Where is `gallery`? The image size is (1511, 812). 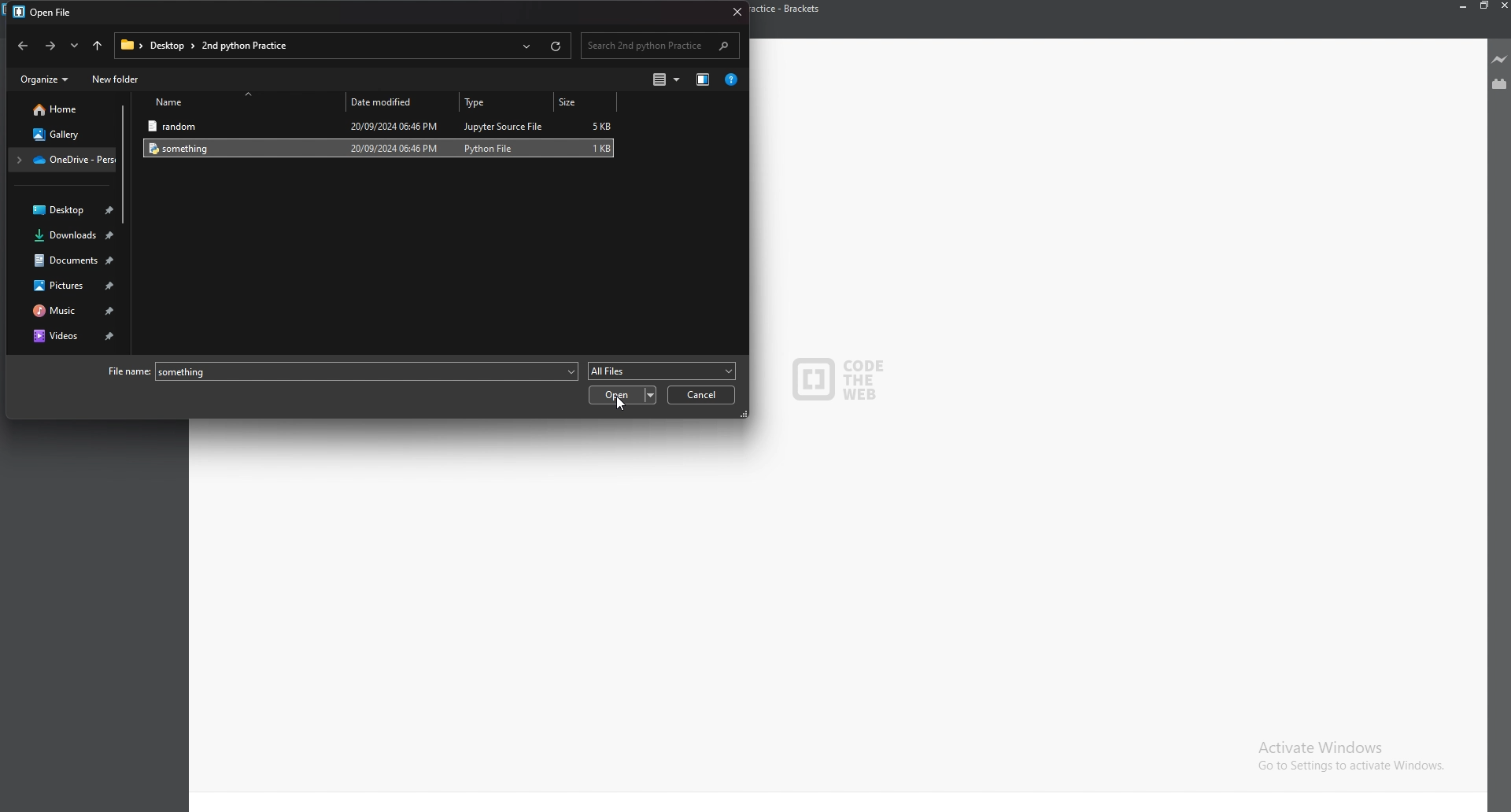
gallery is located at coordinates (57, 135).